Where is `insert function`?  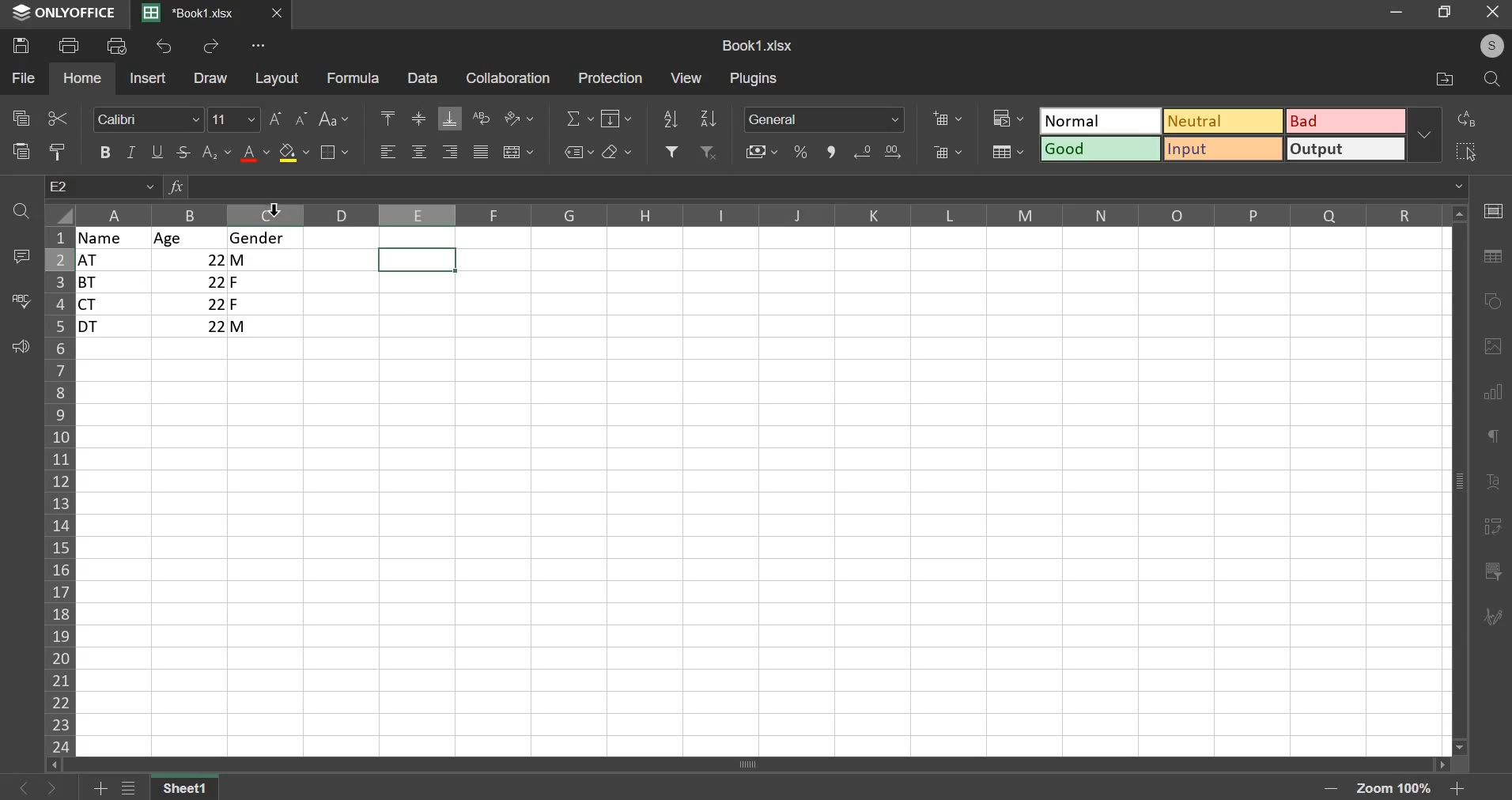
insert function is located at coordinates (816, 189).